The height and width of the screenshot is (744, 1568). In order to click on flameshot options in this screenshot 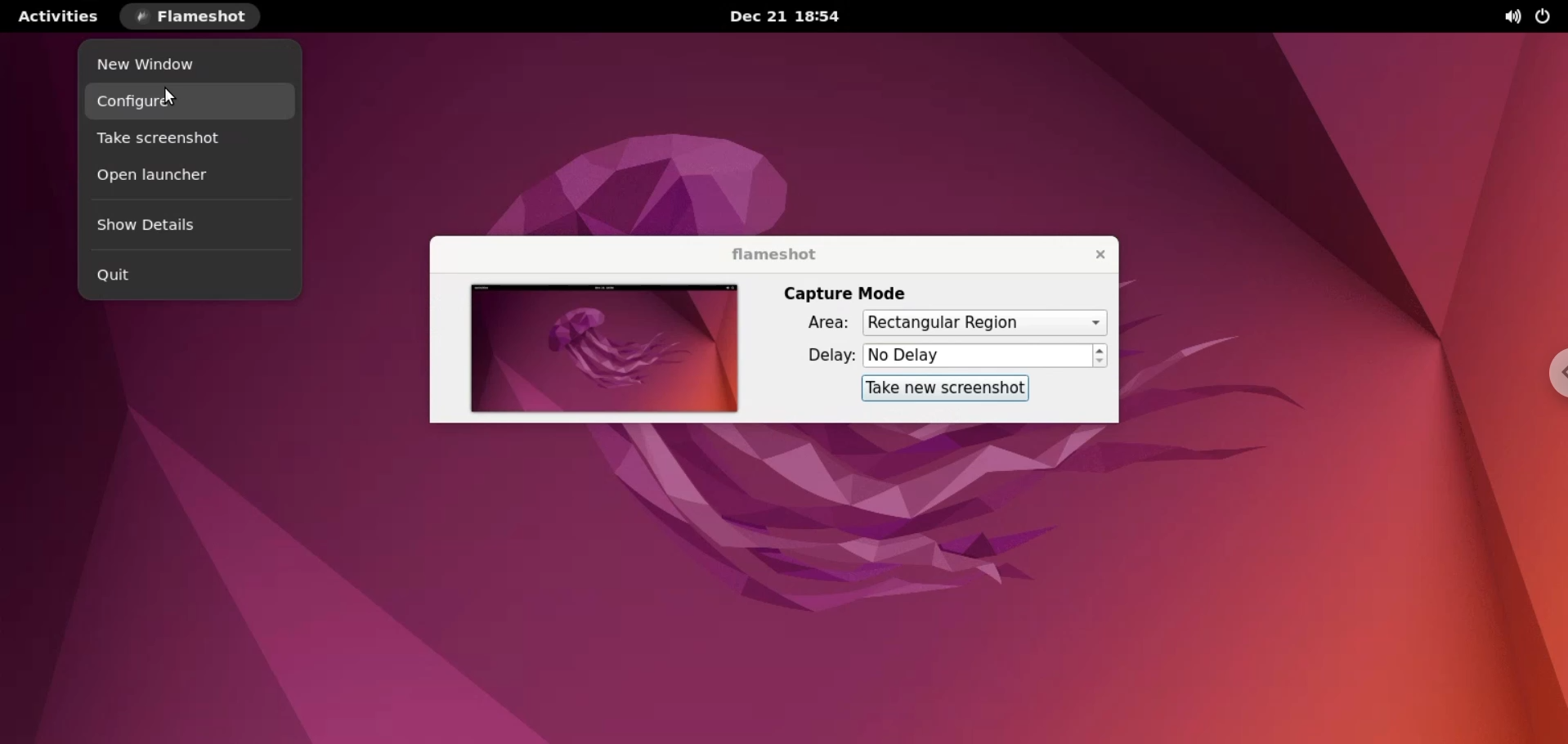, I will do `click(191, 17)`.